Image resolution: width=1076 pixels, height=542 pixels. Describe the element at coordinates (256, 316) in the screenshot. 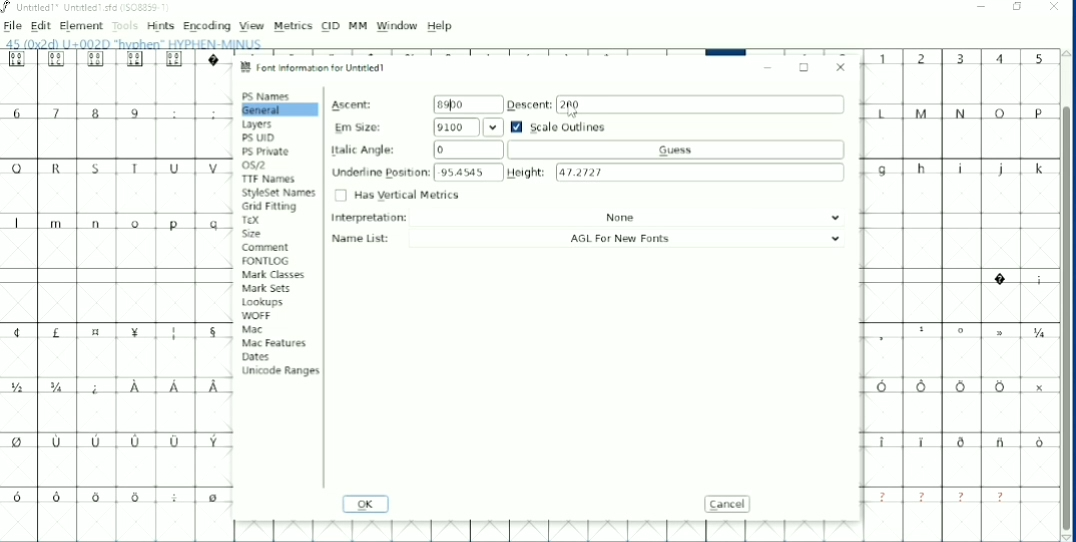

I see `WOFF` at that location.